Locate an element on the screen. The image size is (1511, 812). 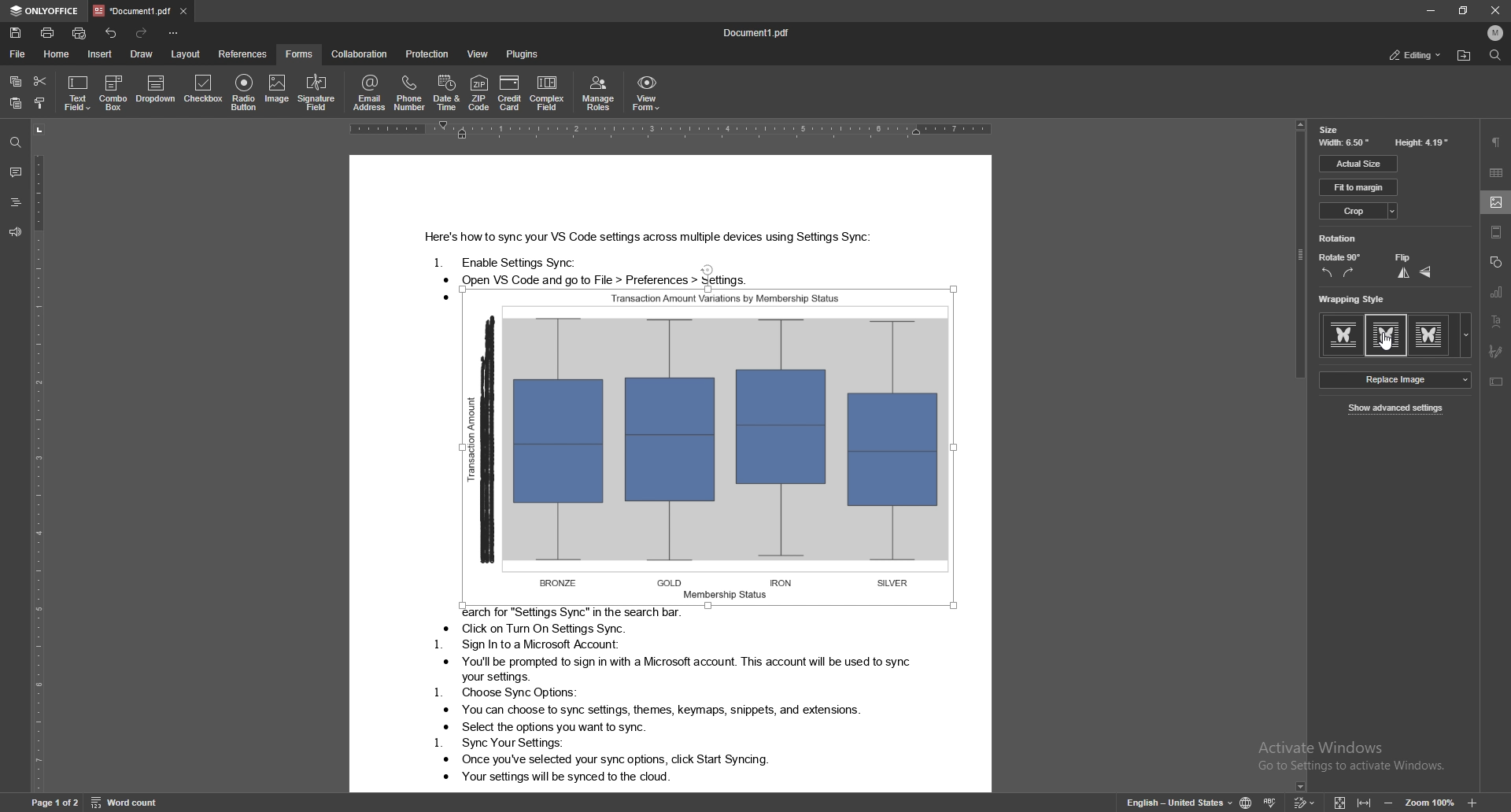
zoom out is located at coordinates (1389, 803).